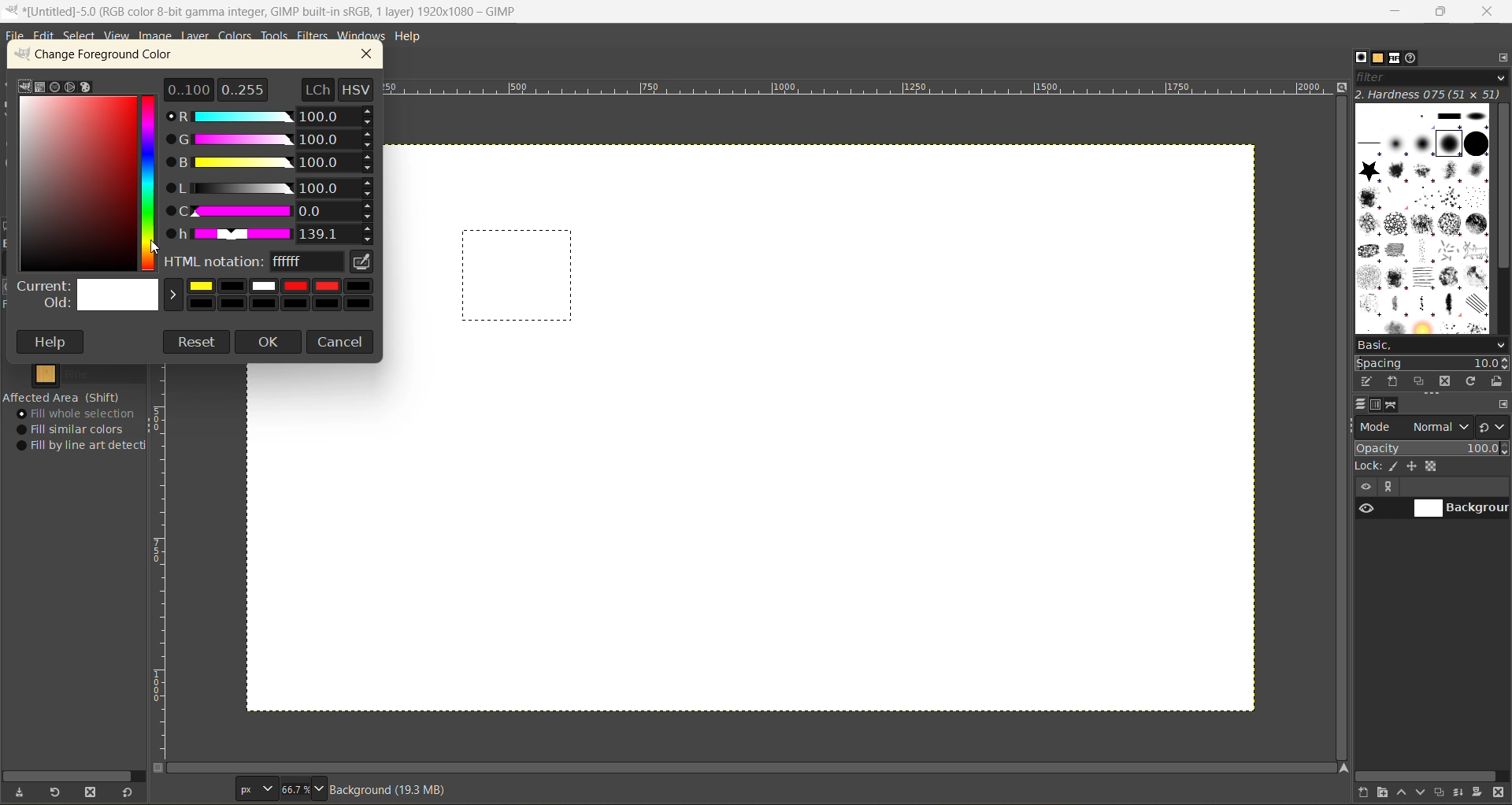 The width and height of the screenshot is (1512, 805). I want to click on fill by line art detection, so click(85, 447).